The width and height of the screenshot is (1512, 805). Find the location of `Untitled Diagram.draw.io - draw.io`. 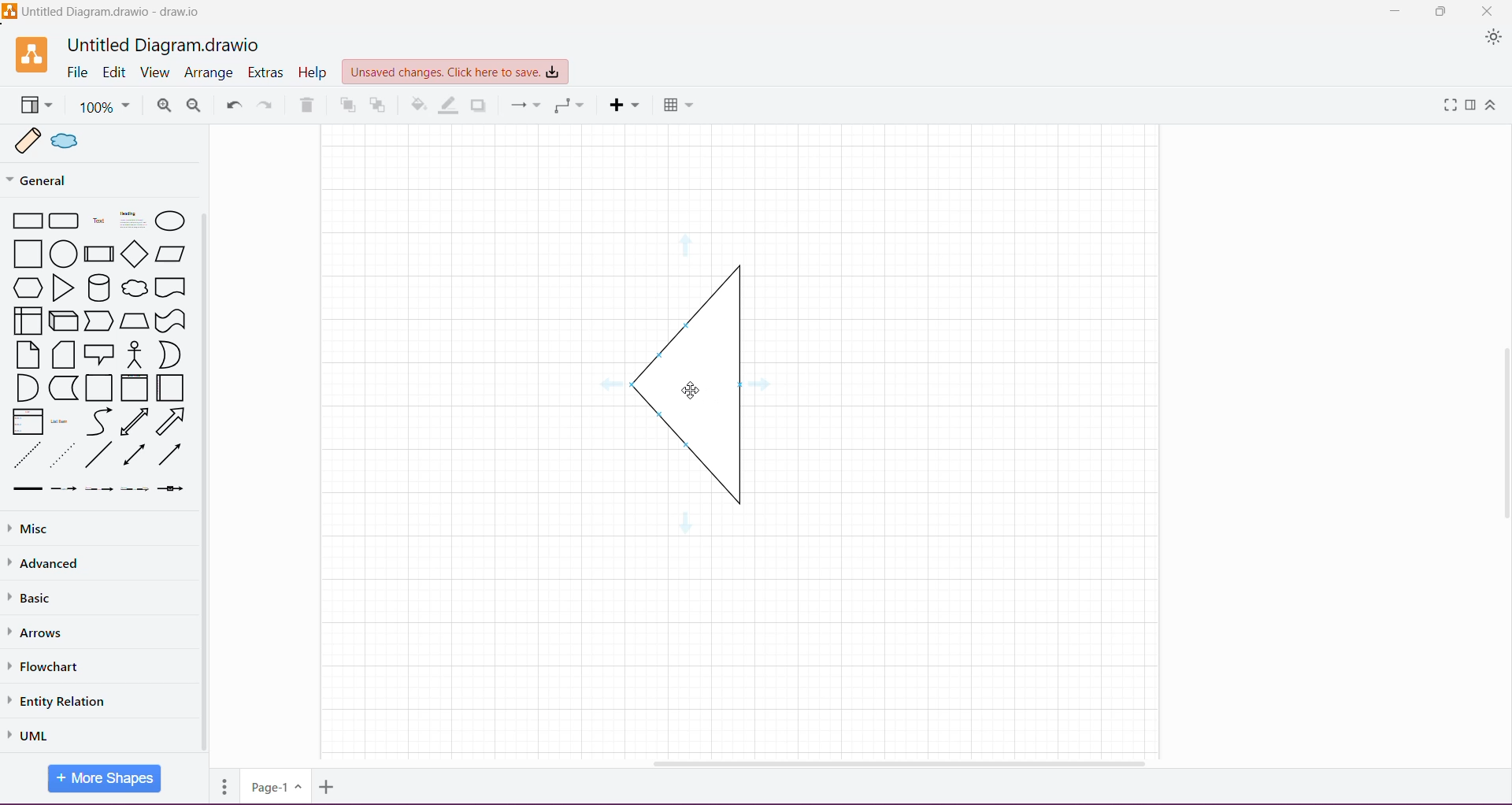

Untitled Diagram.draw.io - draw.io is located at coordinates (104, 11).